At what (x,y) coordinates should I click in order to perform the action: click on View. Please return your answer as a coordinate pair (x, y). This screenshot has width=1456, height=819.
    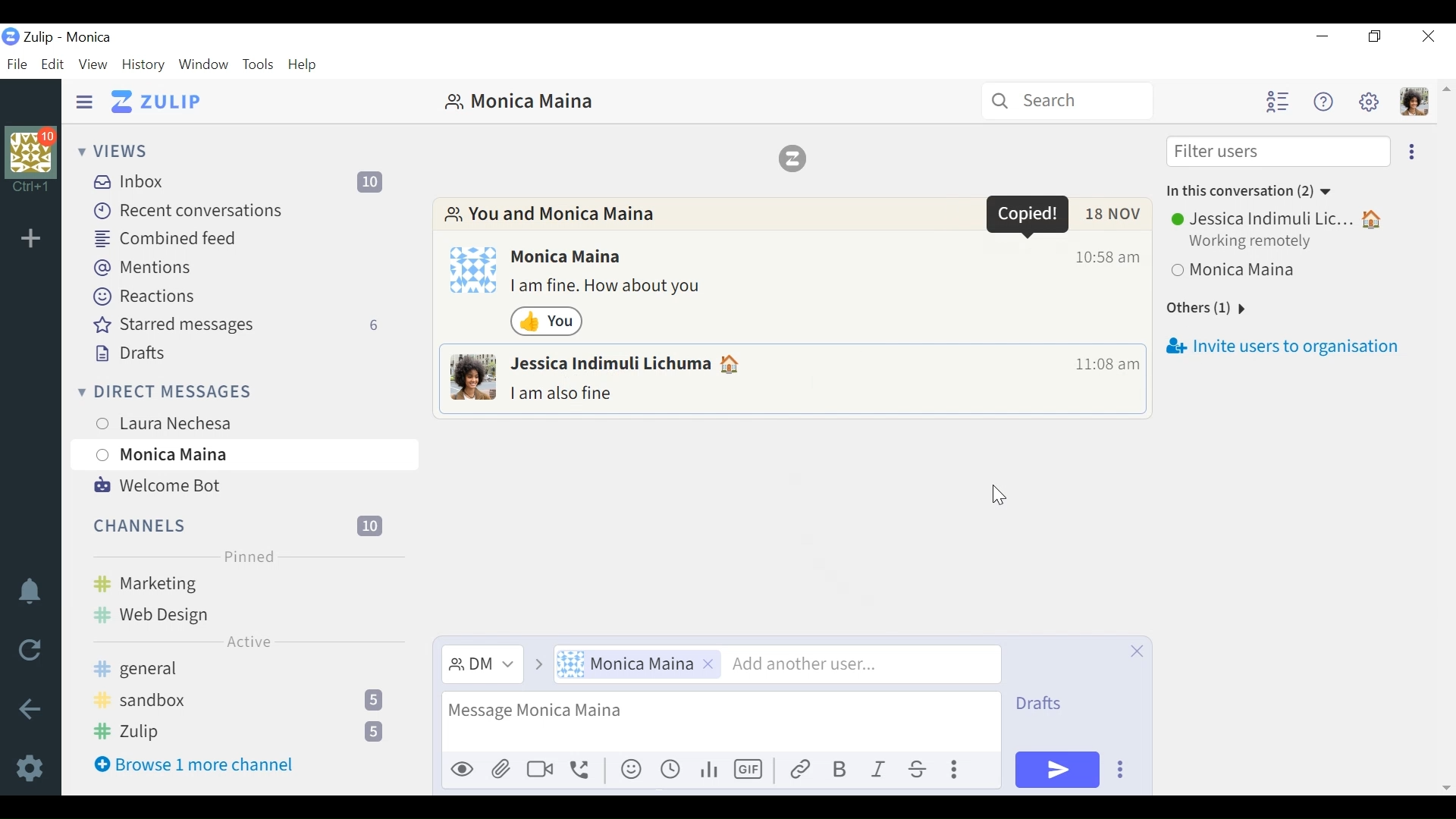
    Looking at the image, I should click on (93, 65).